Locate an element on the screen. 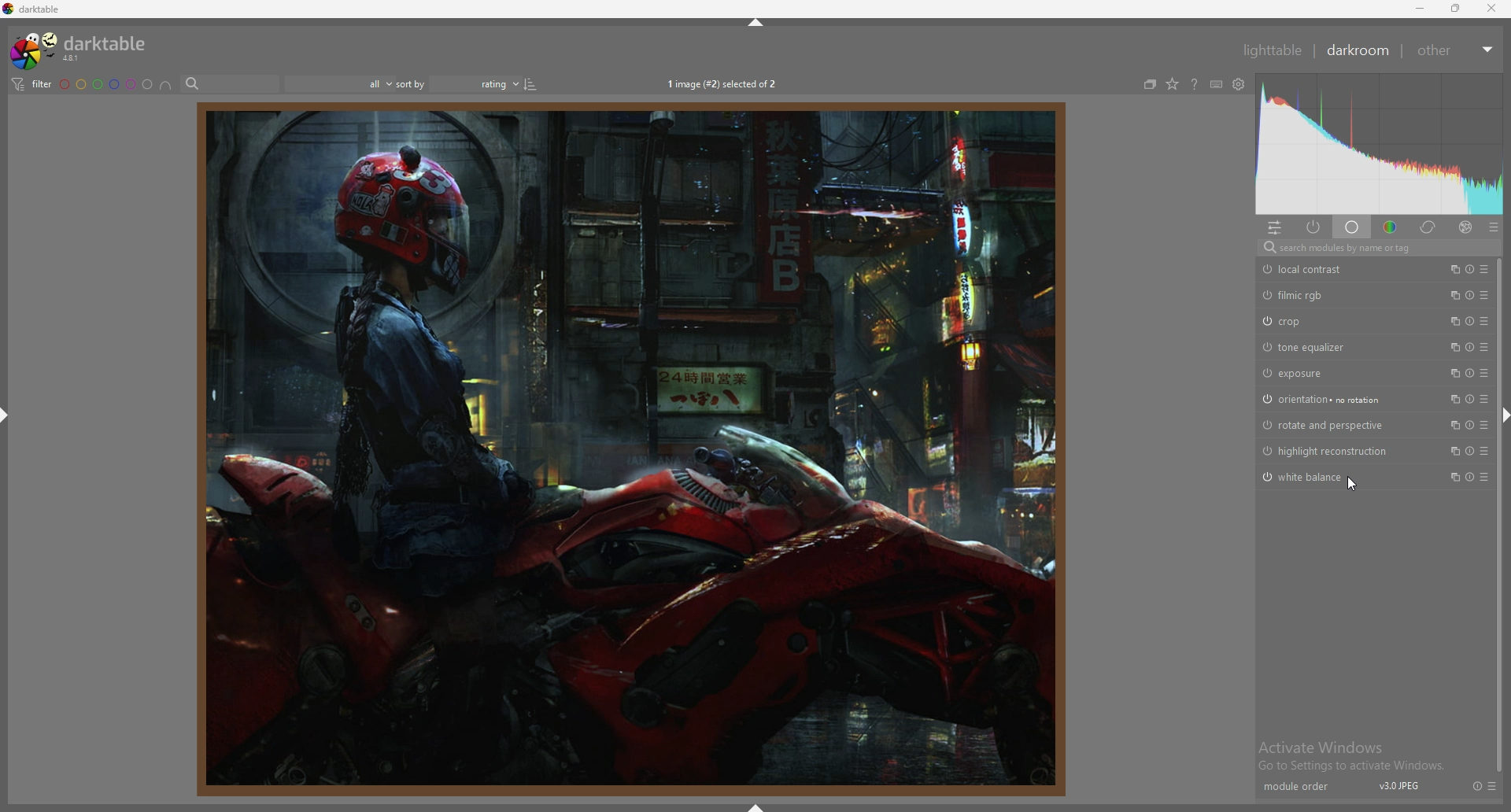  filter is located at coordinates (31, 84).